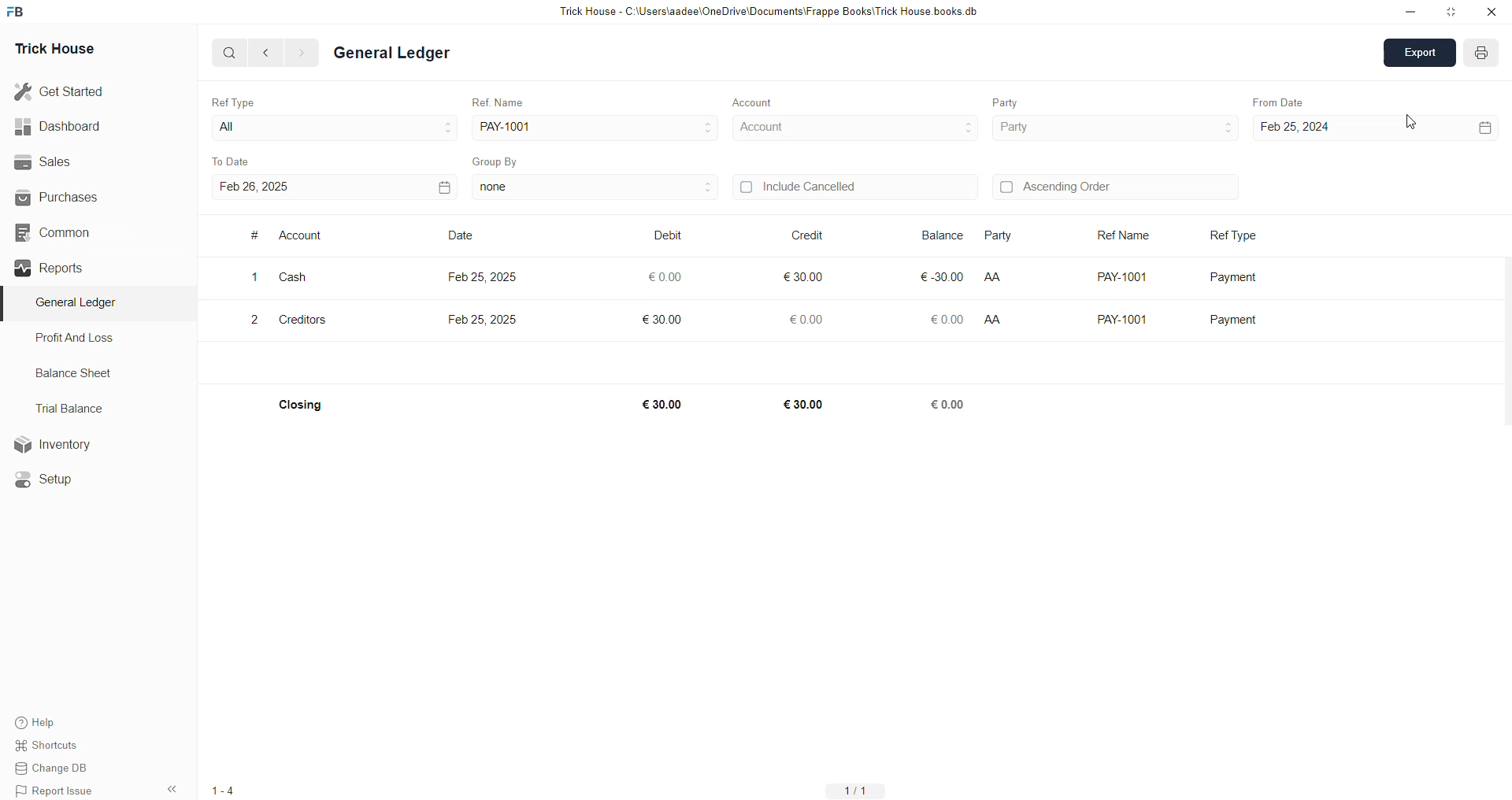 Image resolution: width=1512 pixels, height=800 pixels. Describe the element at coordinates (999, 317) in the screenshot. I see `AA` at that location.